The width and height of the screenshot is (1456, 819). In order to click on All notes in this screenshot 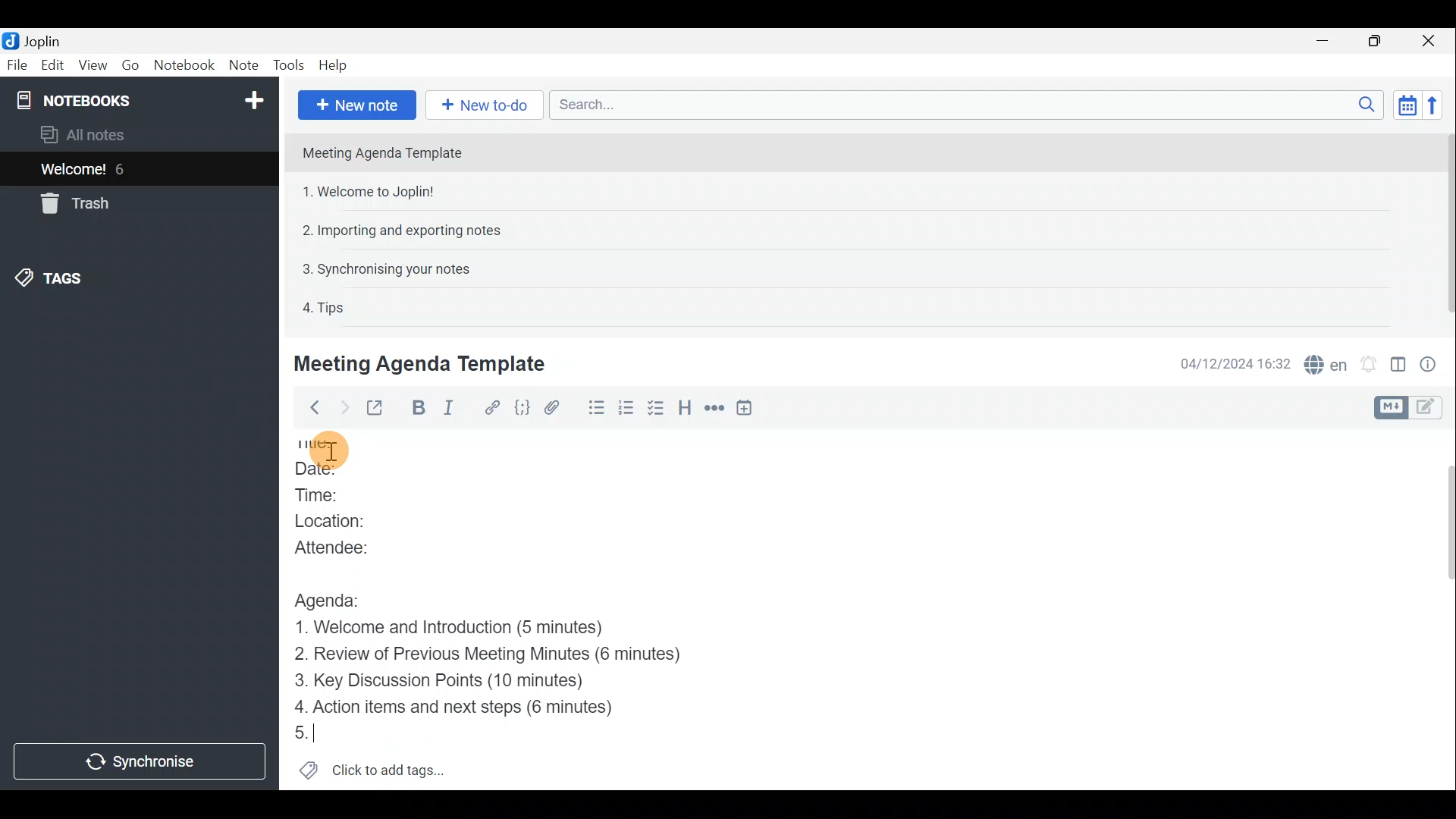, I will do `click(108, 134)`.